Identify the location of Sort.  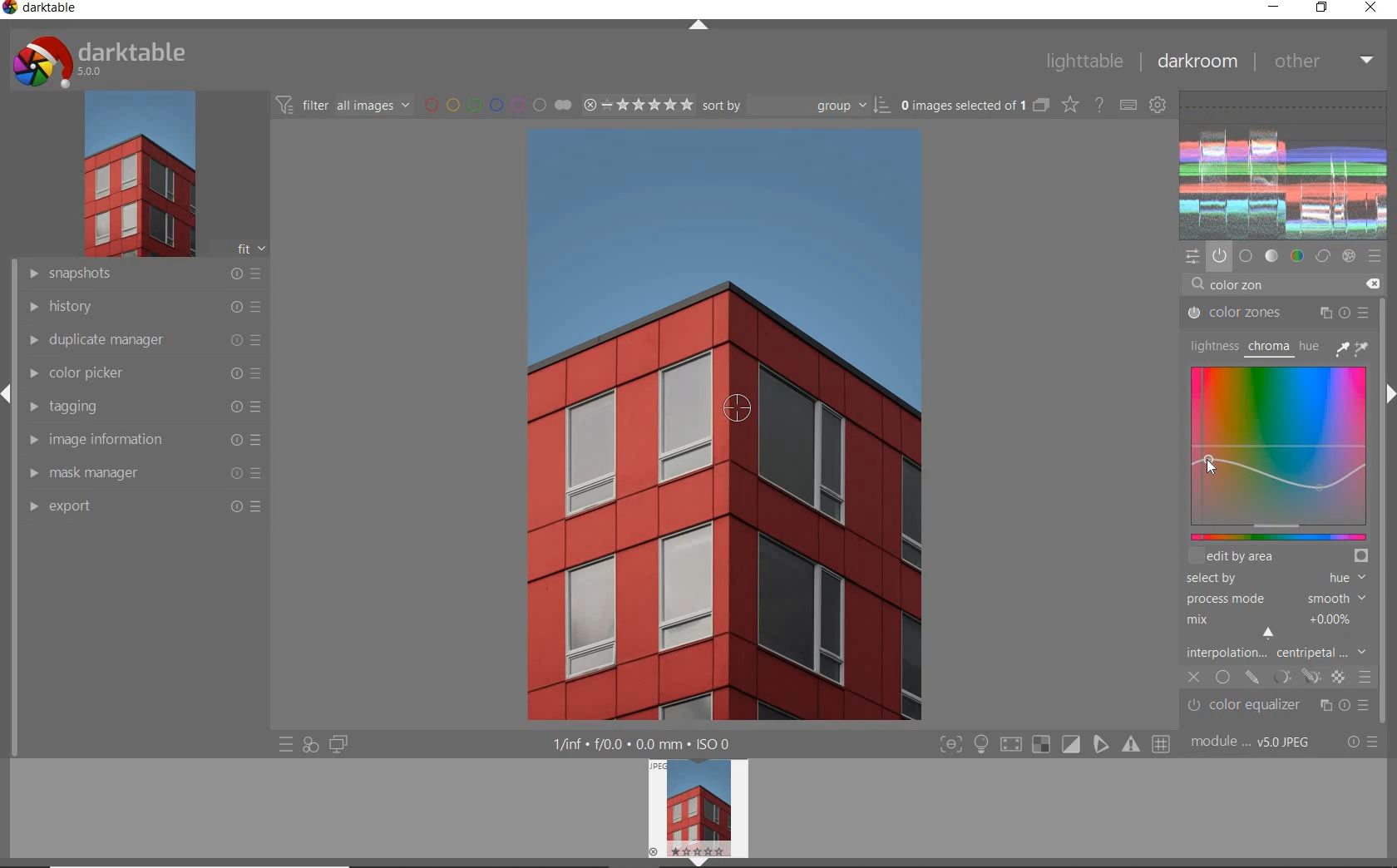
(797, 106).